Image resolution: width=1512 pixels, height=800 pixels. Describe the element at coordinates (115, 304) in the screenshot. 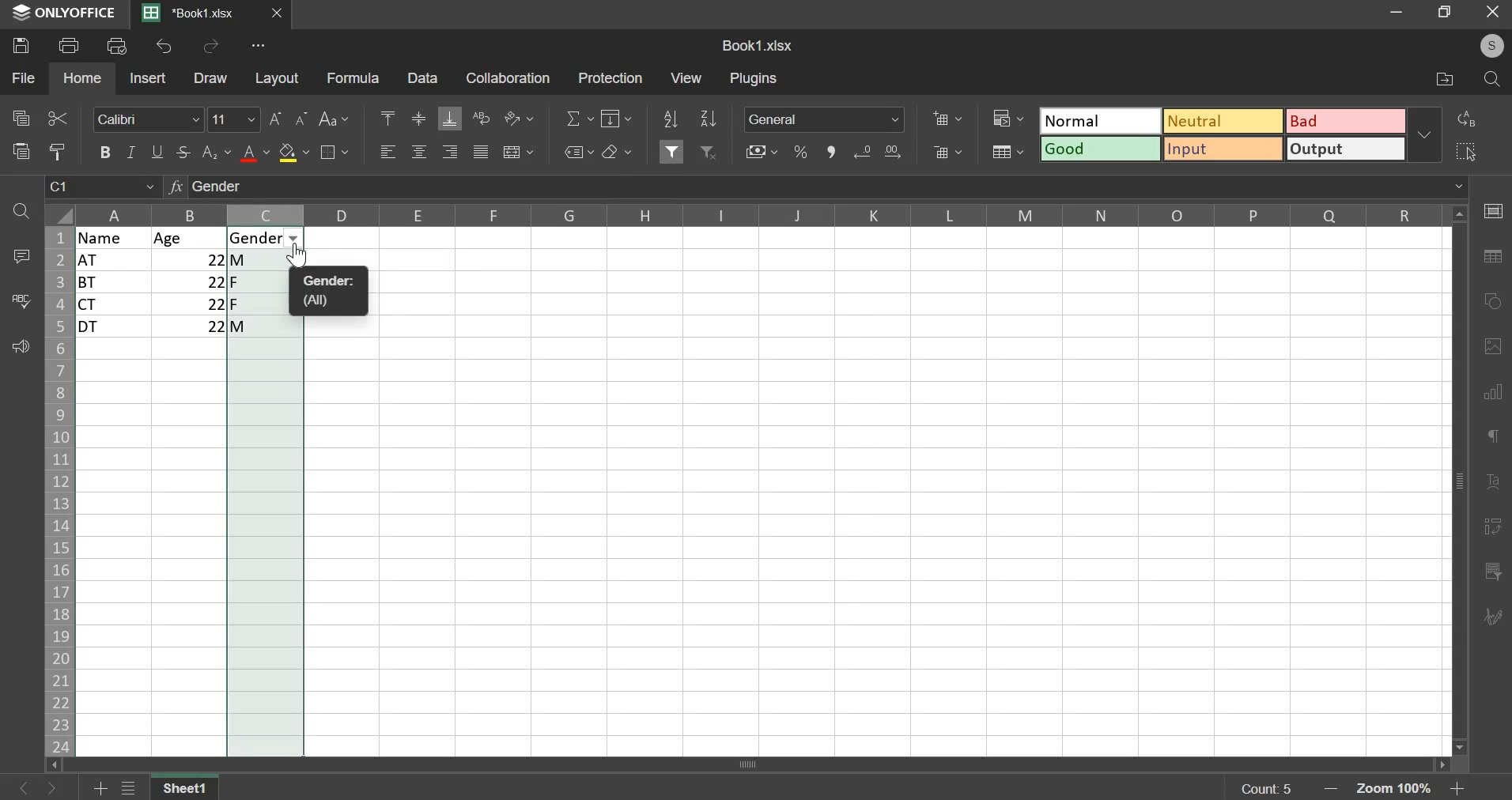

I see `ct` at that location.